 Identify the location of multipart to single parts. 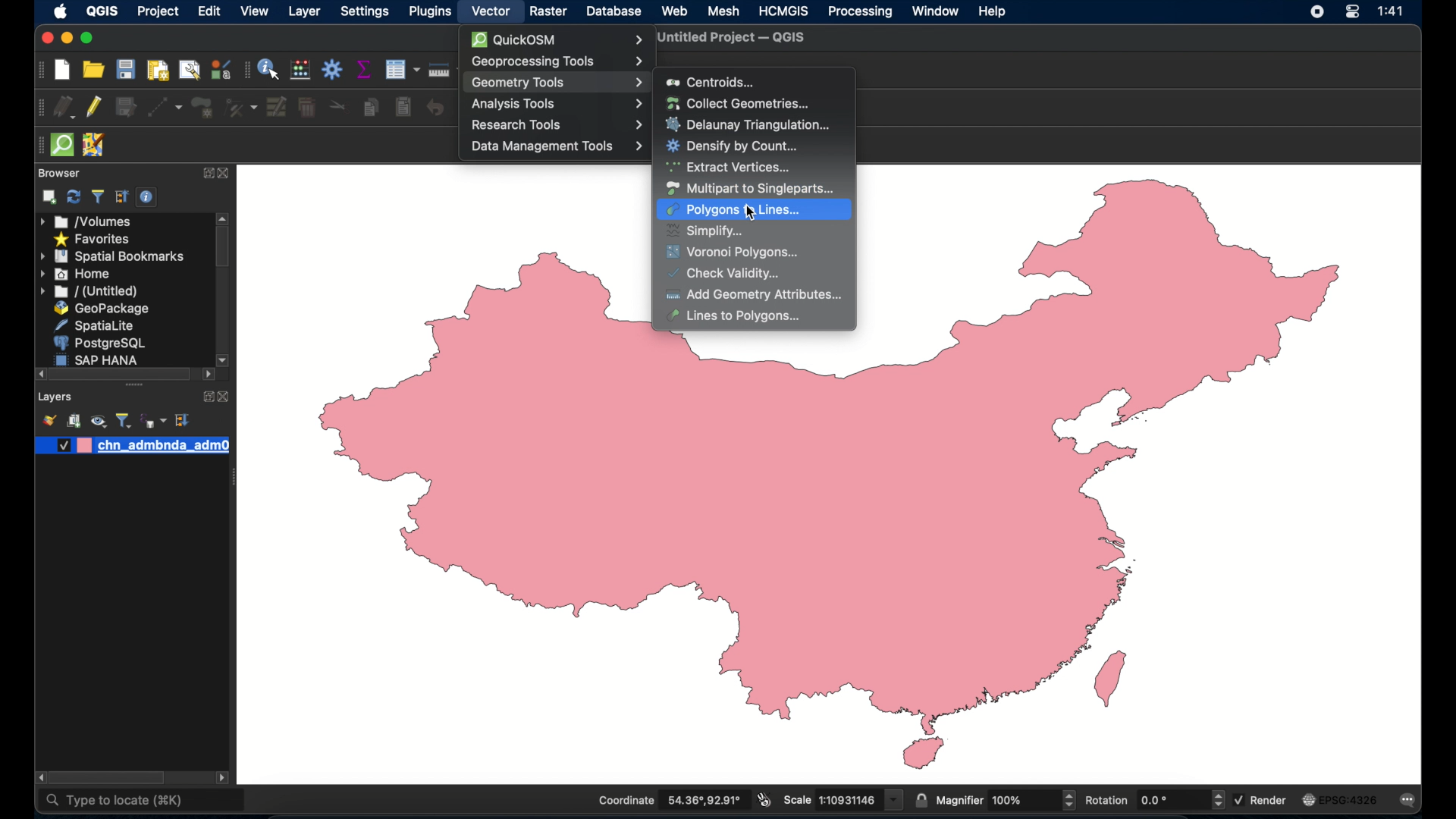
(750, 189).